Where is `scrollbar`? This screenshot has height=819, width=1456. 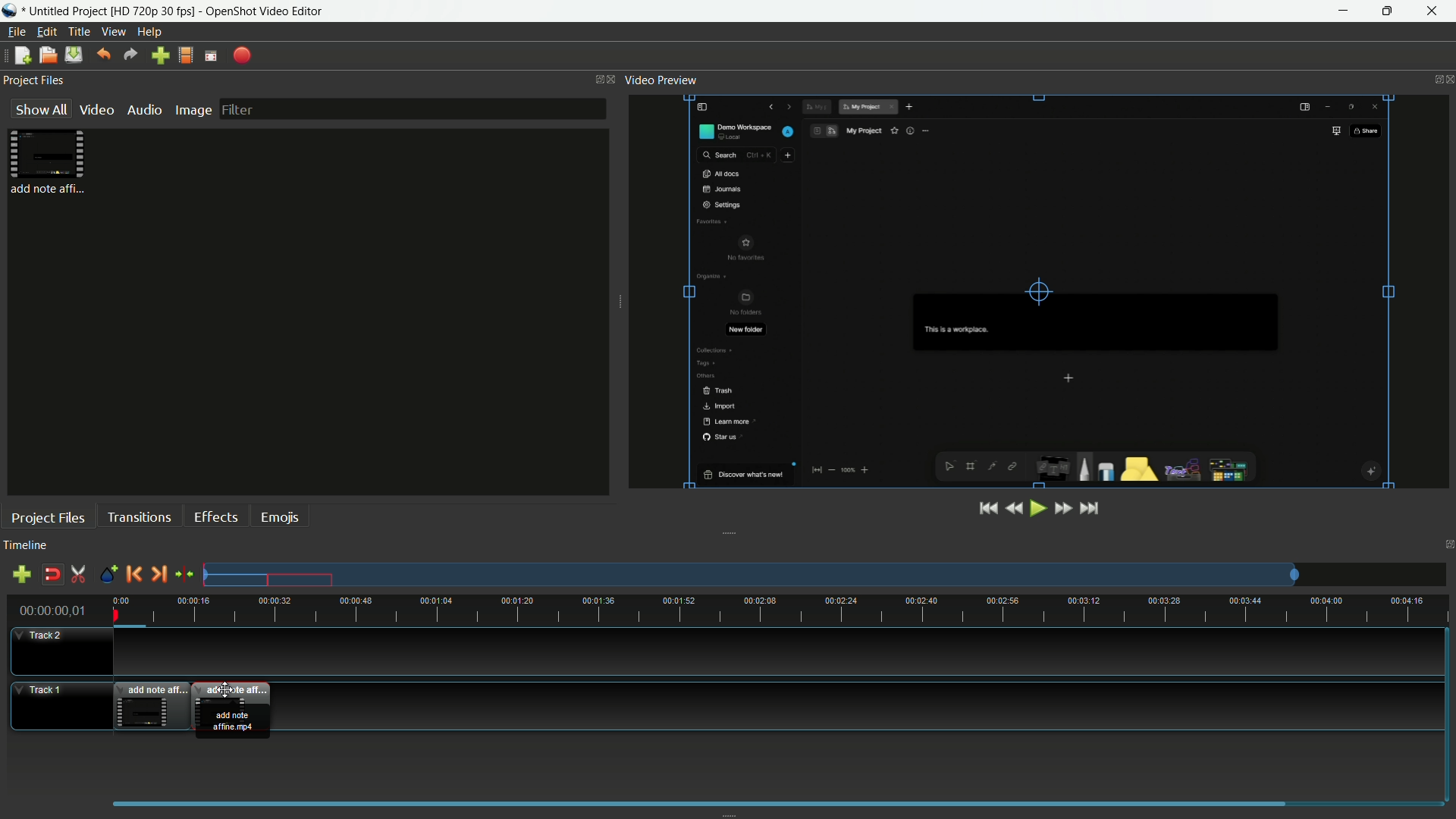
scrollbar is located at coordinates (699, 801).